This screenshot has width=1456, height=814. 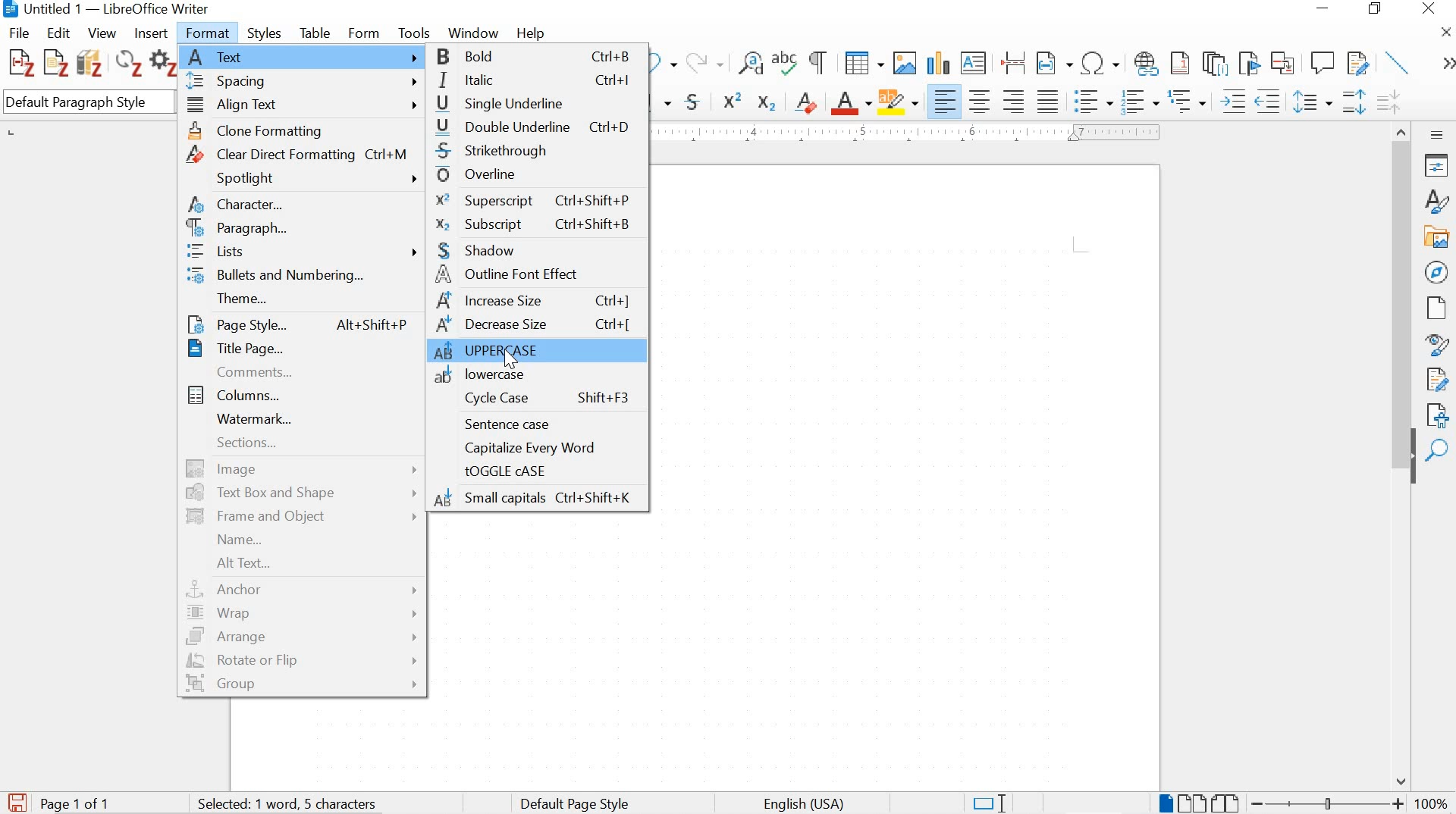 I want to click on toggle ordered list, so click(x=1138, y=102).